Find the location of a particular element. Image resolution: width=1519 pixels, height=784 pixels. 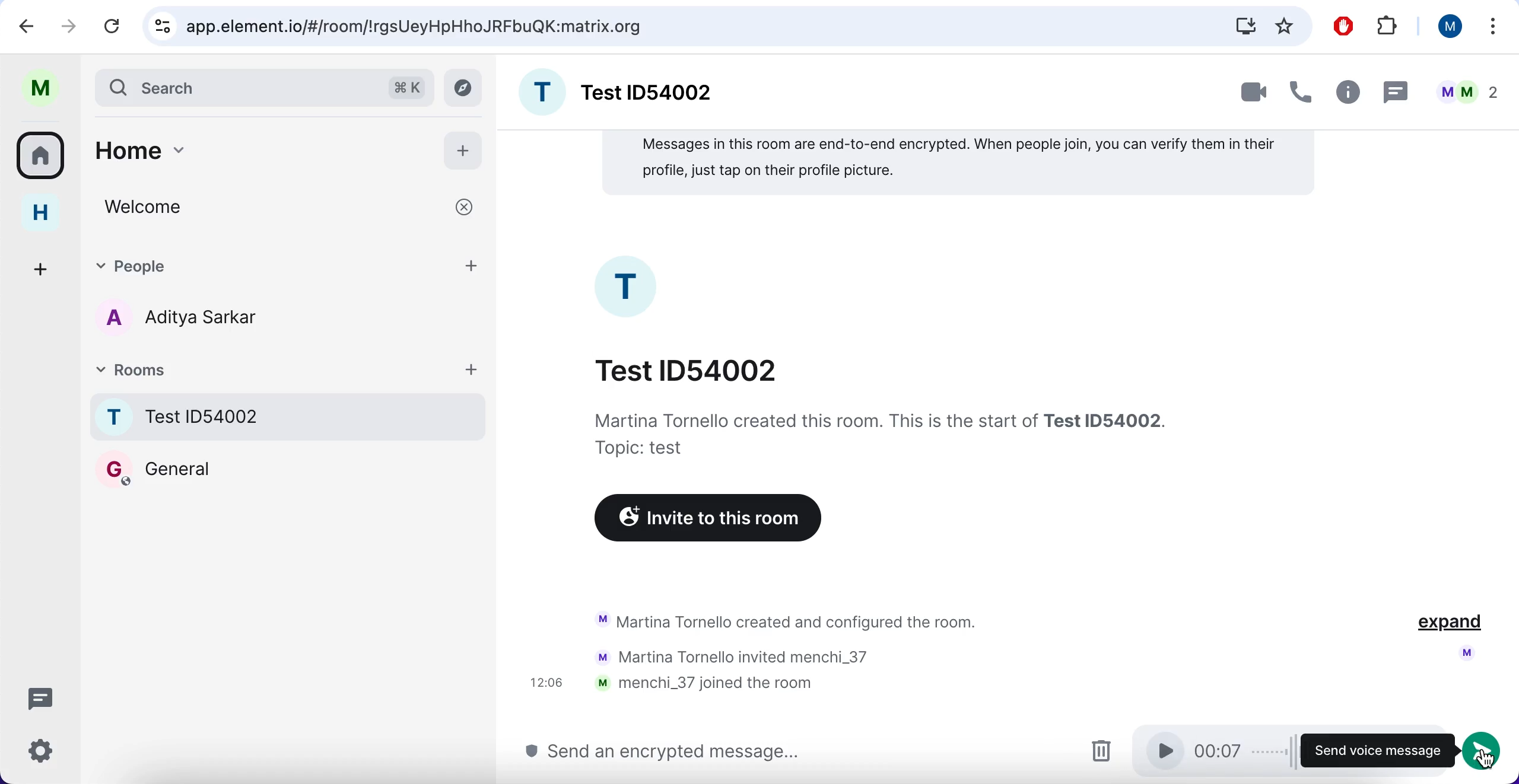

activity chat is located at coordinates (771, 655).